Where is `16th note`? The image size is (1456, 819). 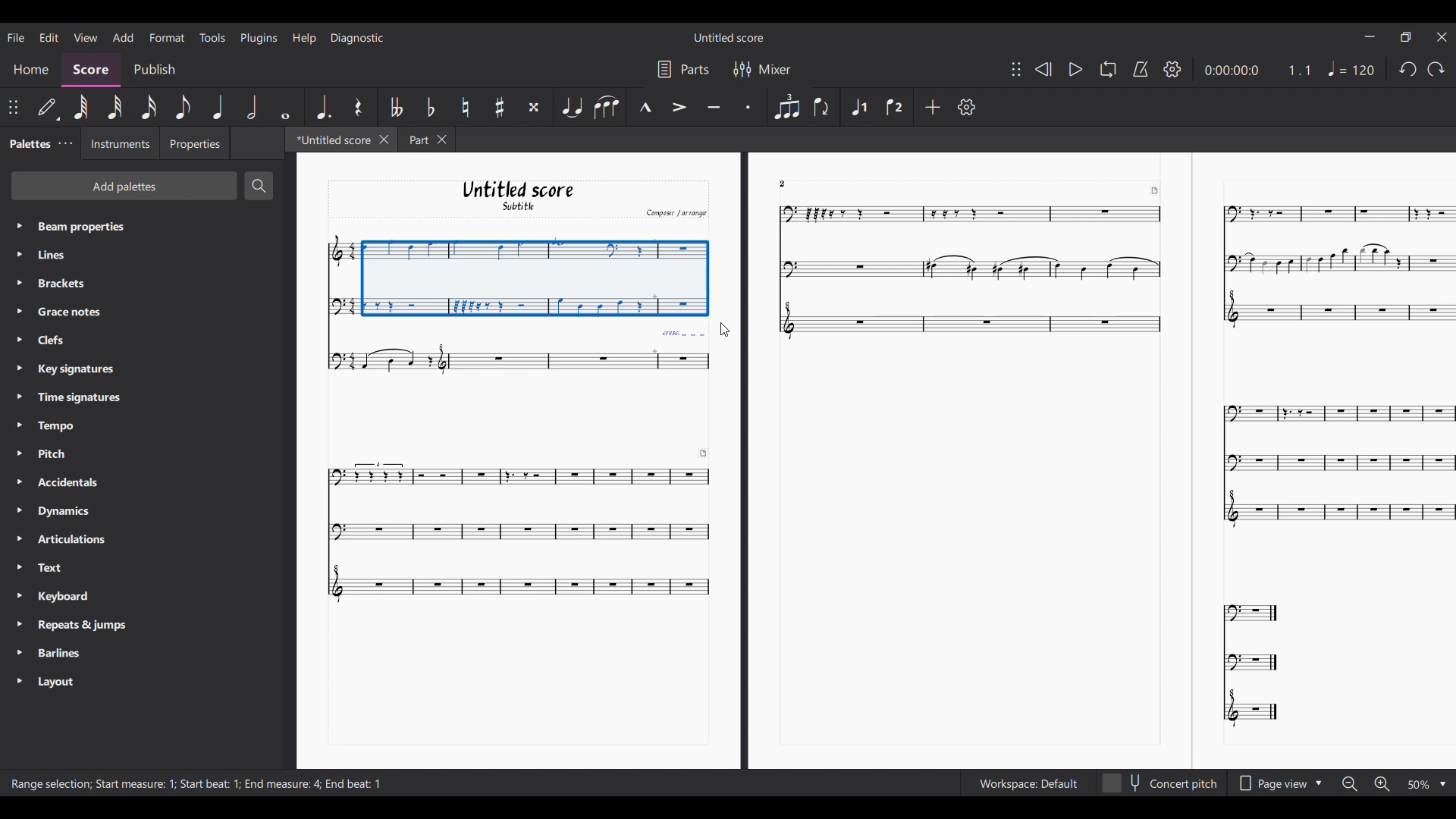 16th note is located at coordinates (149, 108).